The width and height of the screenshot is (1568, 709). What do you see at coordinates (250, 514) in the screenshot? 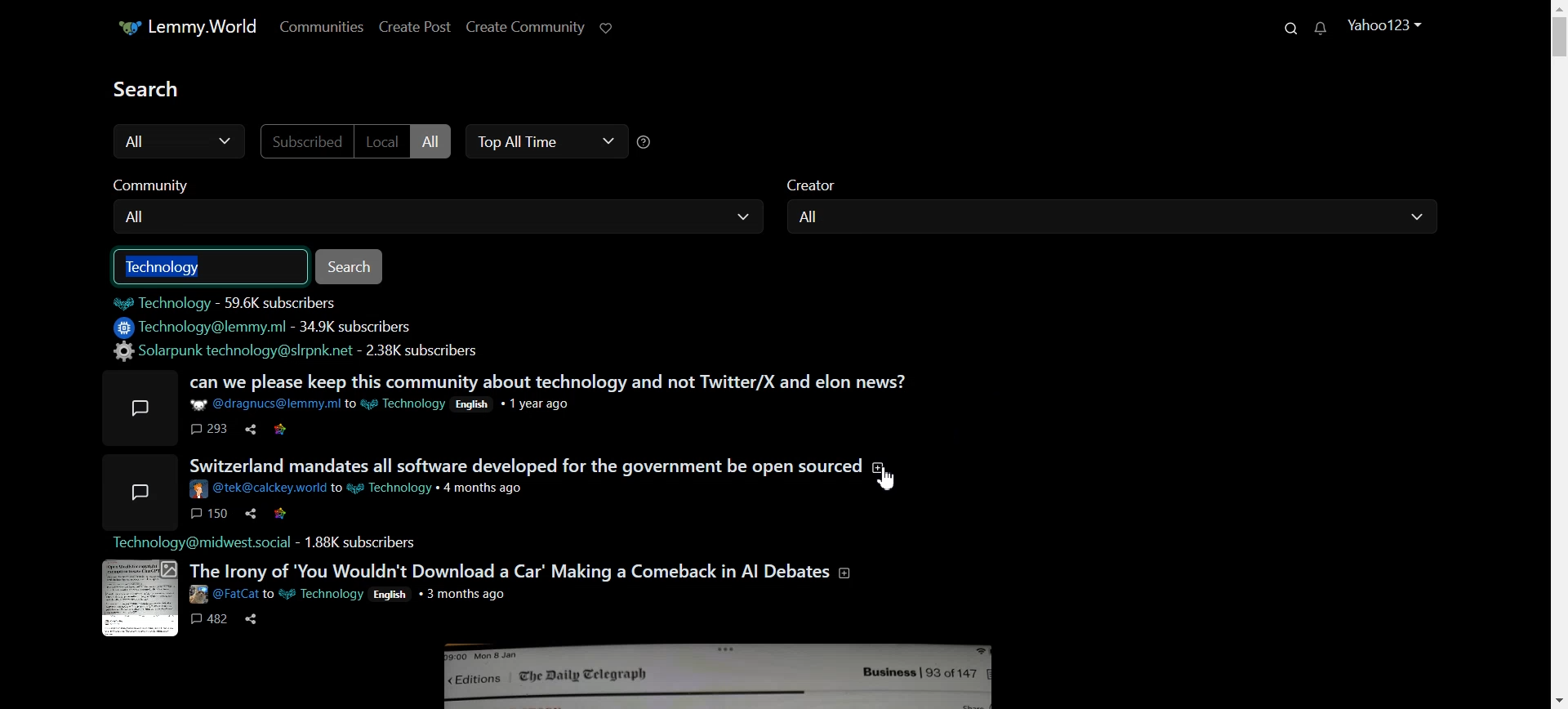
I see `share` at bounding box center [250, 514].